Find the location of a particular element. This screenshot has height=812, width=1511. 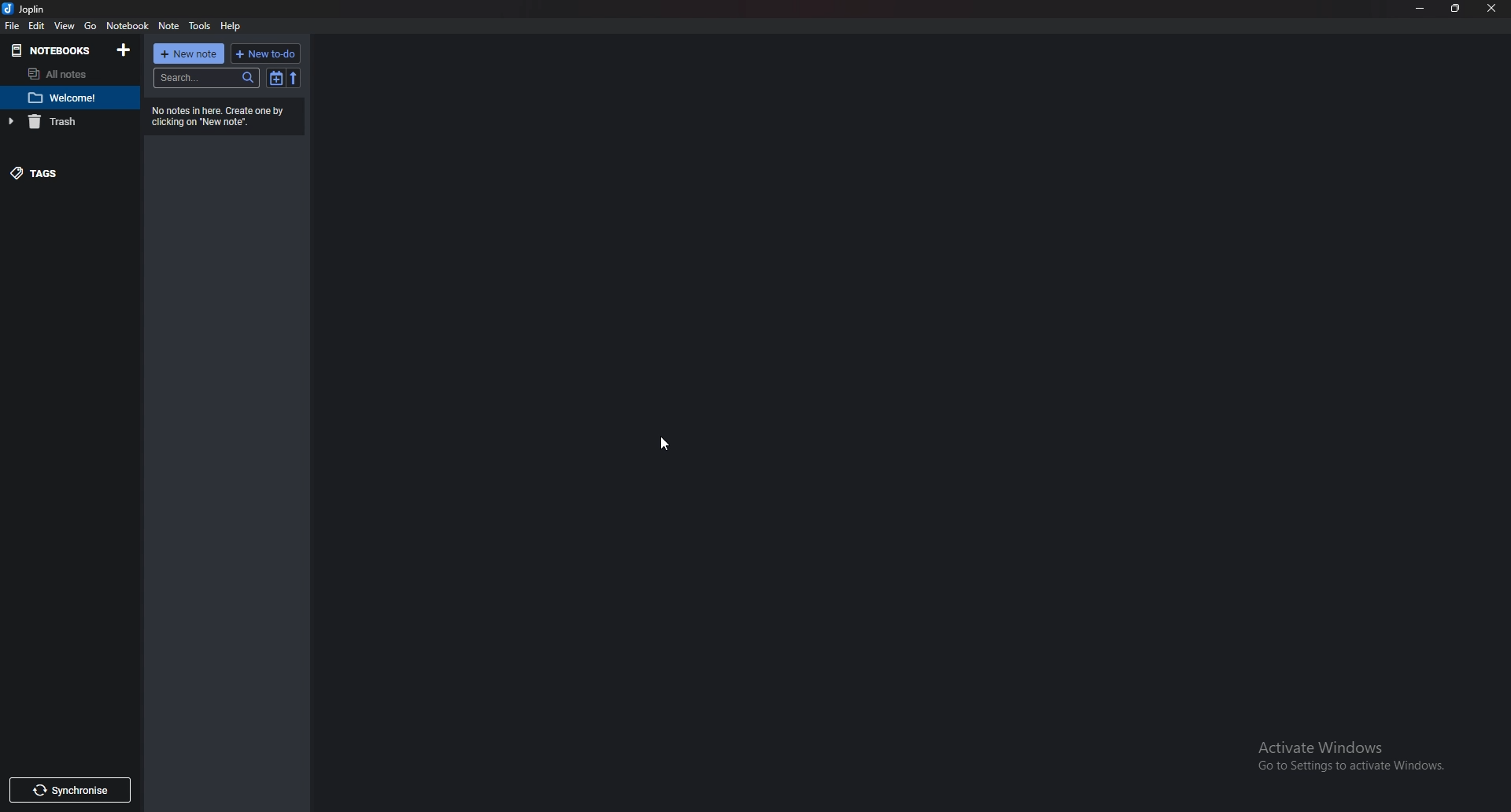

New note is located at coordinates (190, 54).